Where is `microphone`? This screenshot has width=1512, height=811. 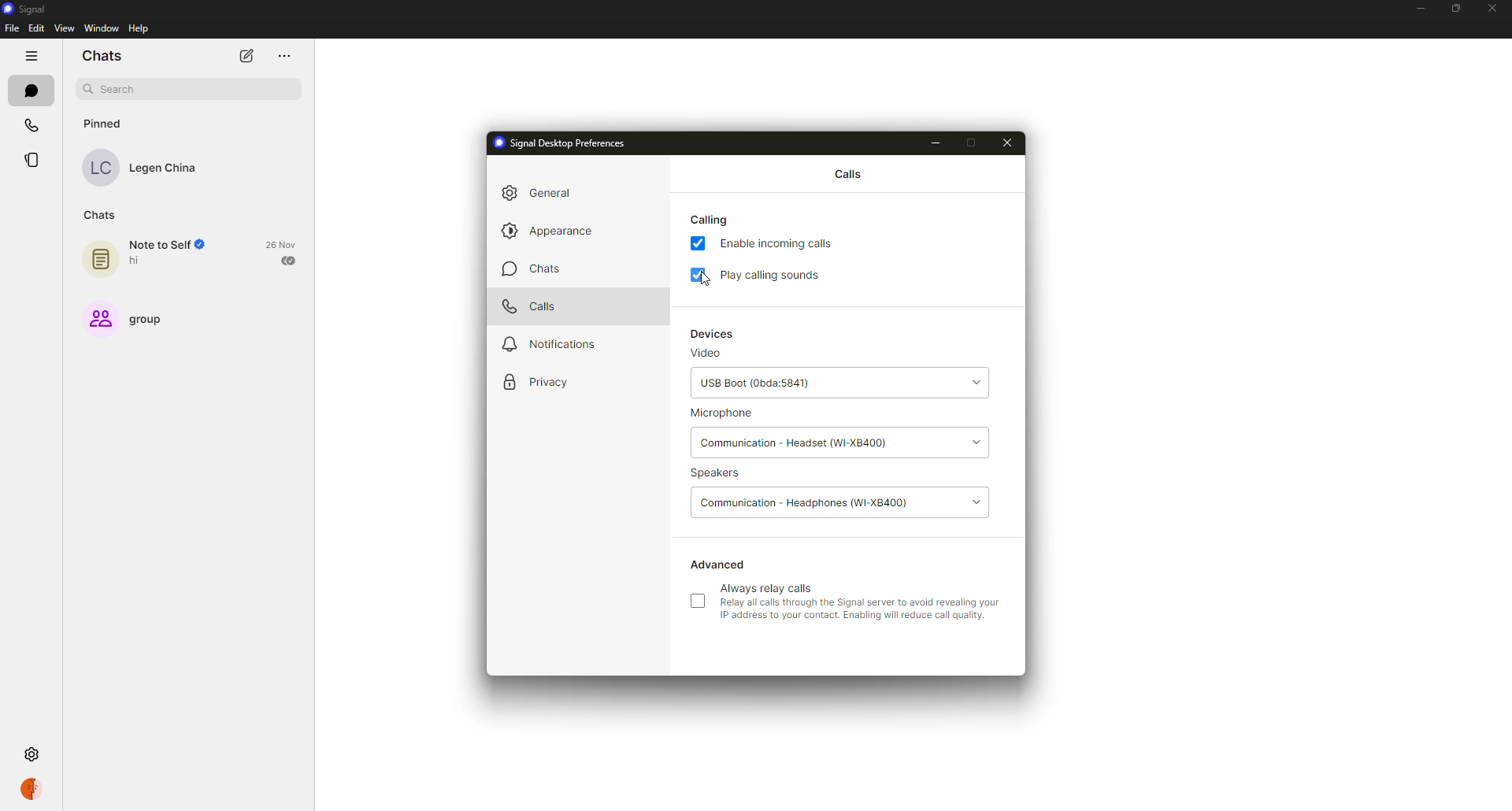 microphone is located at coordinates (737, 412).